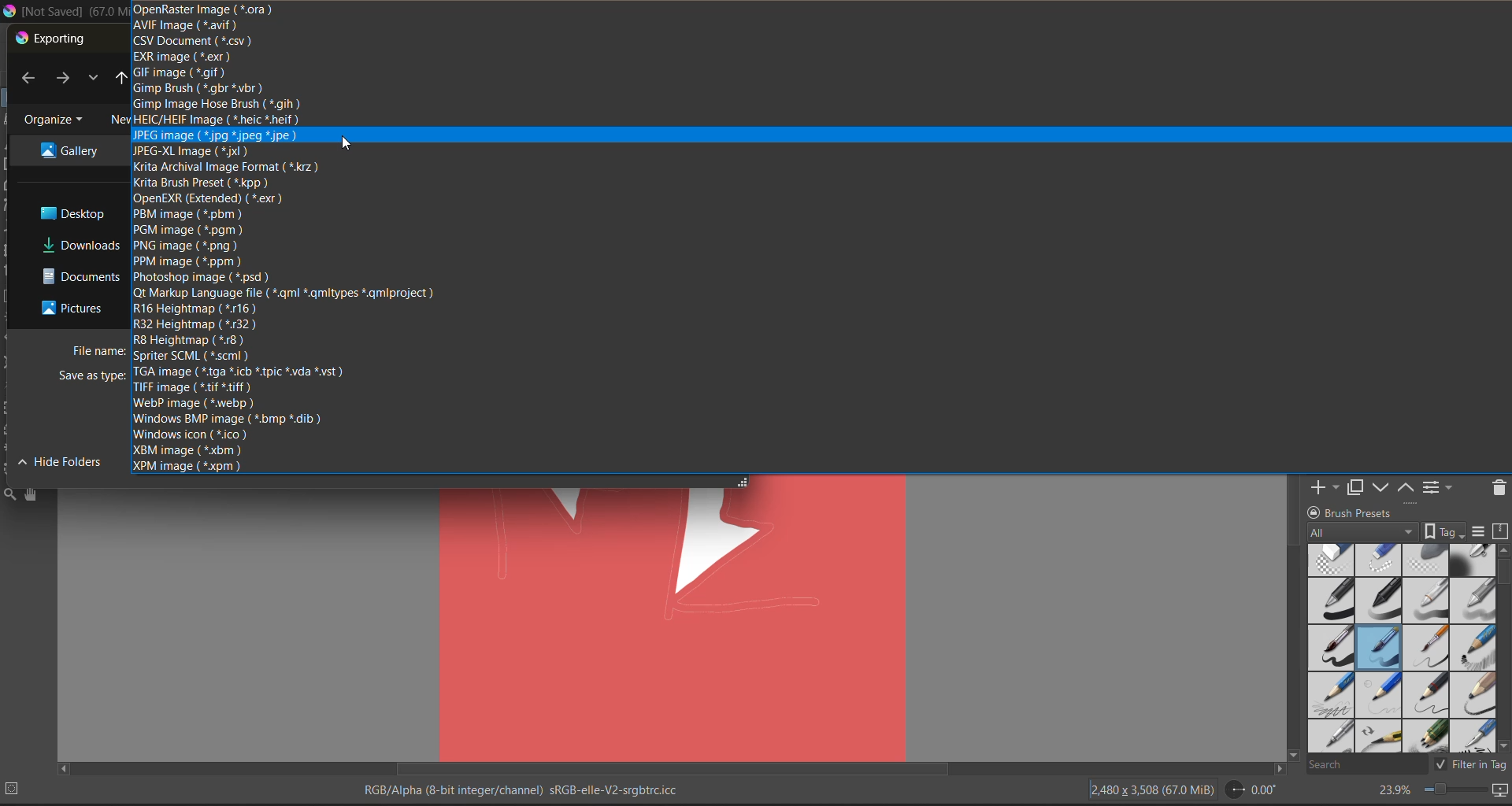  I want to click on No selection, so click(17, 789).